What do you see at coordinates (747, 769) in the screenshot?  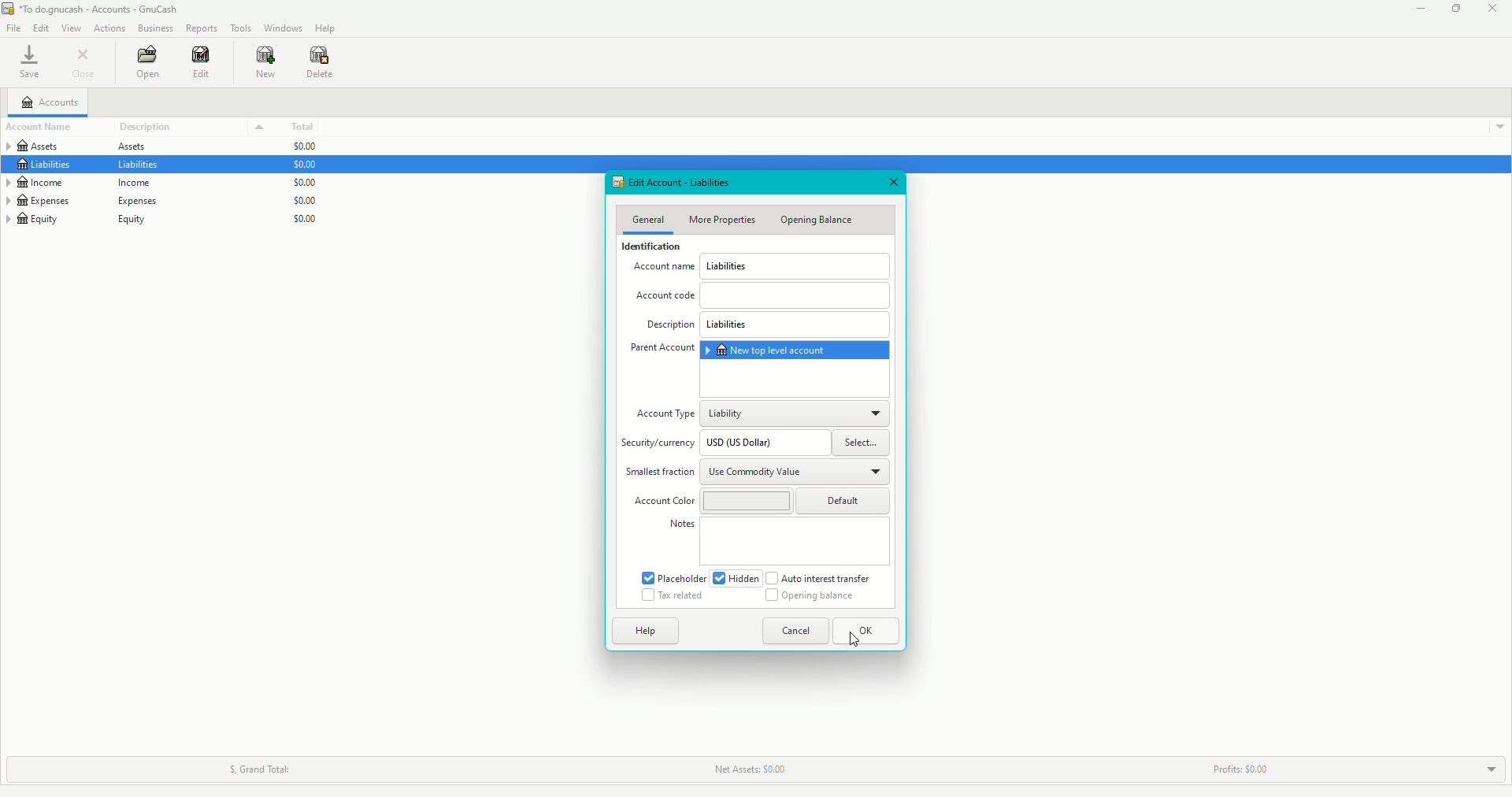 I see `Net Assets` at bounding box center [747, 769].